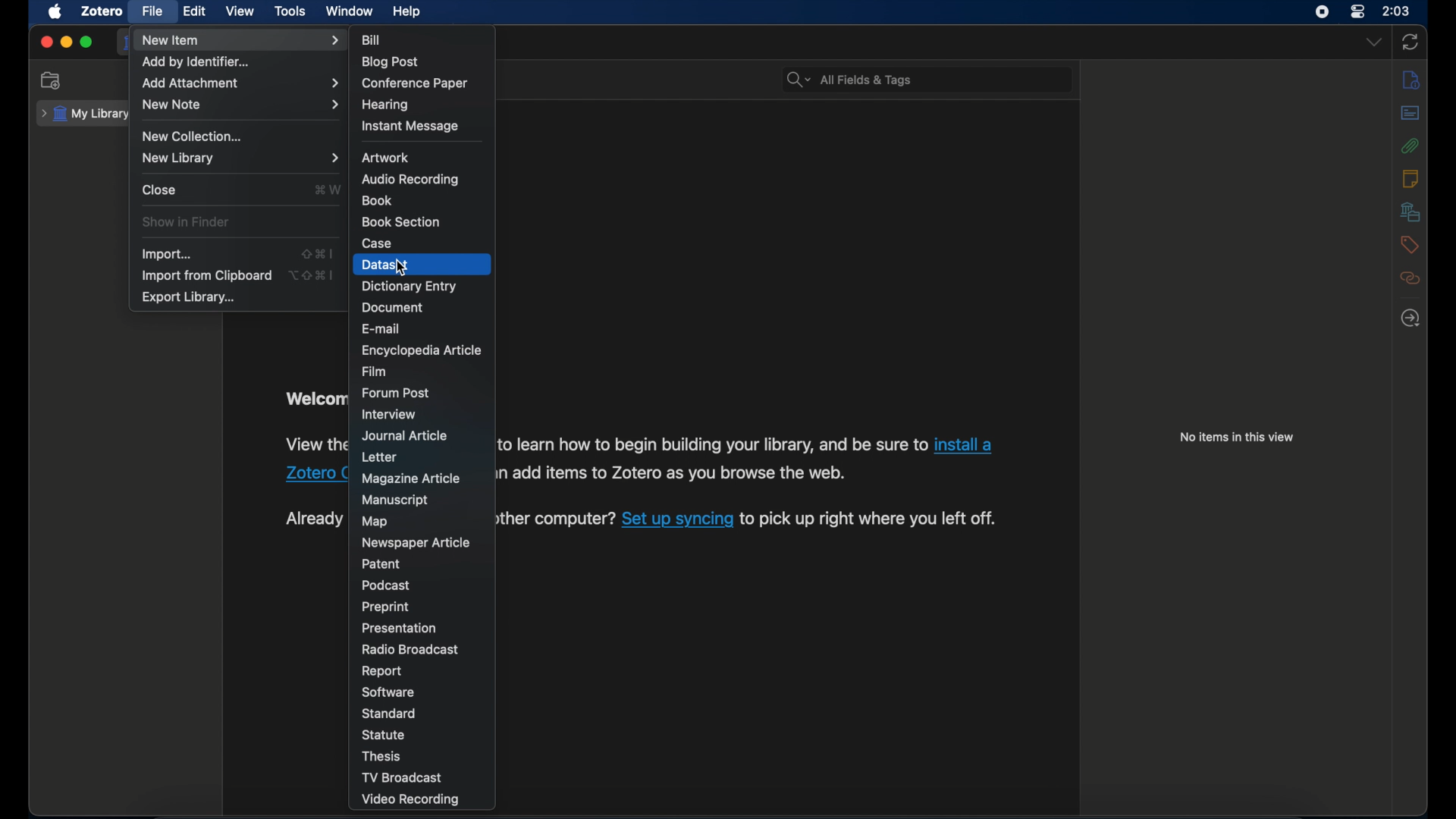  What do you see at coordinates (206, 276) in the screenshot?
I see `import from clipboard` at bounding box center [206, 276].